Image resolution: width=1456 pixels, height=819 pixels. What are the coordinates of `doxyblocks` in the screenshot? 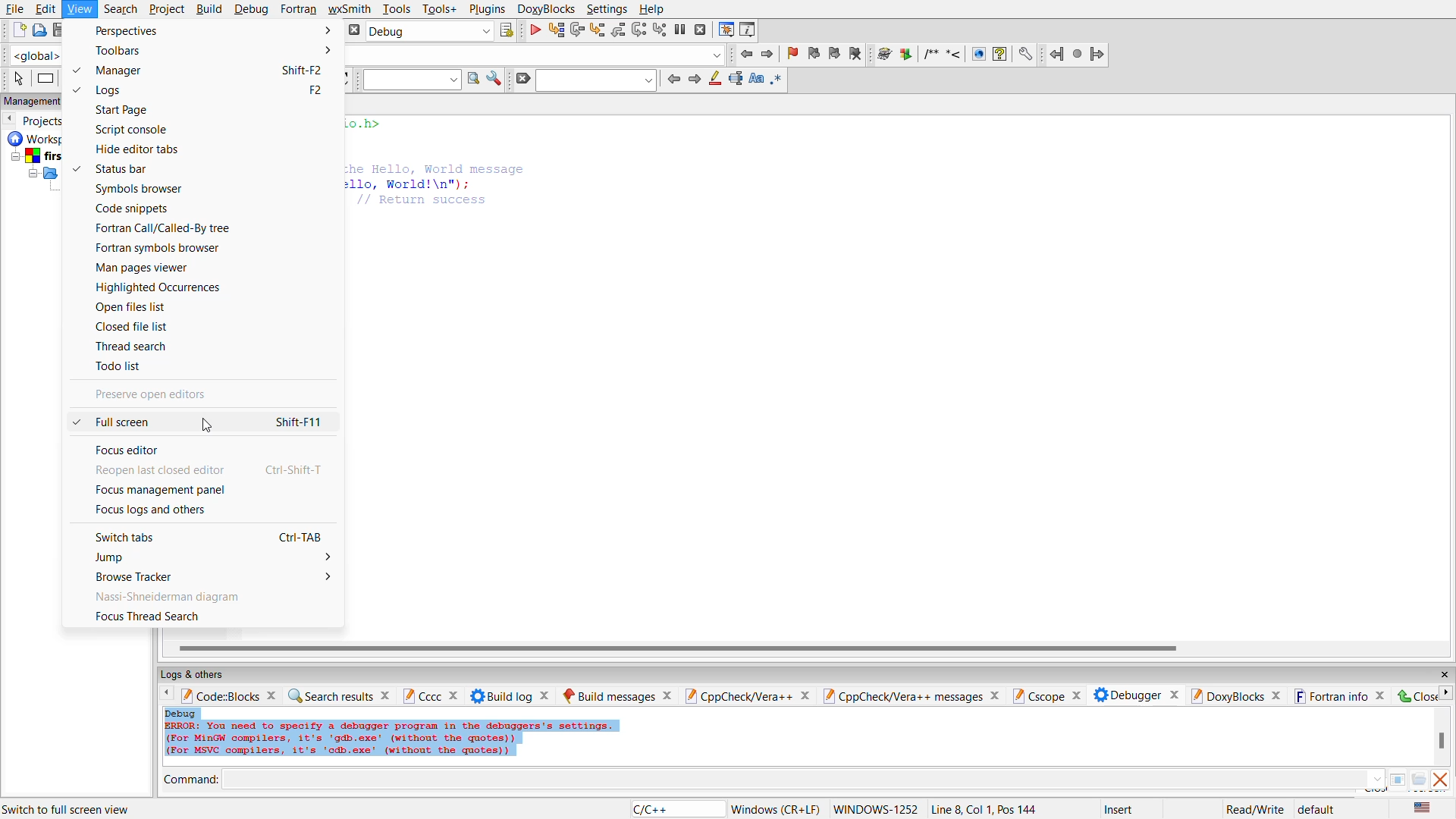 It's located at (548, 9).